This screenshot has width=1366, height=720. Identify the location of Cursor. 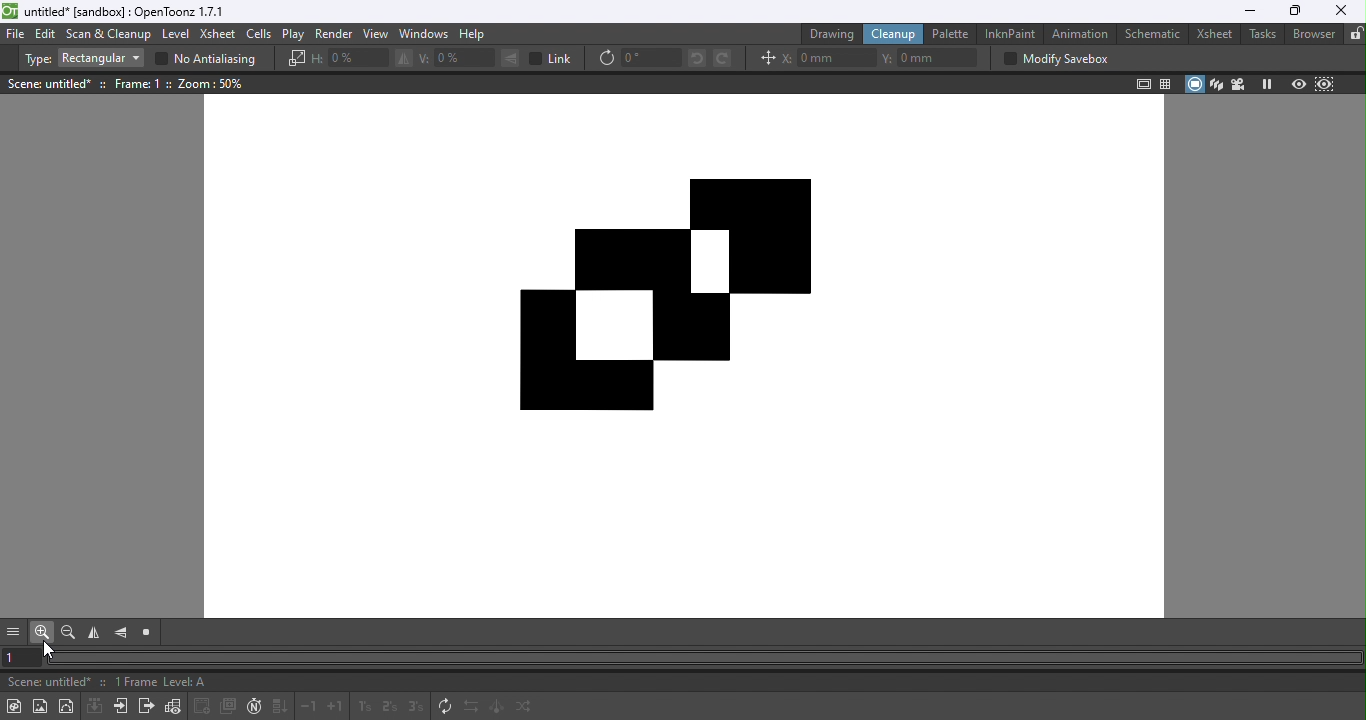
(52, 650).